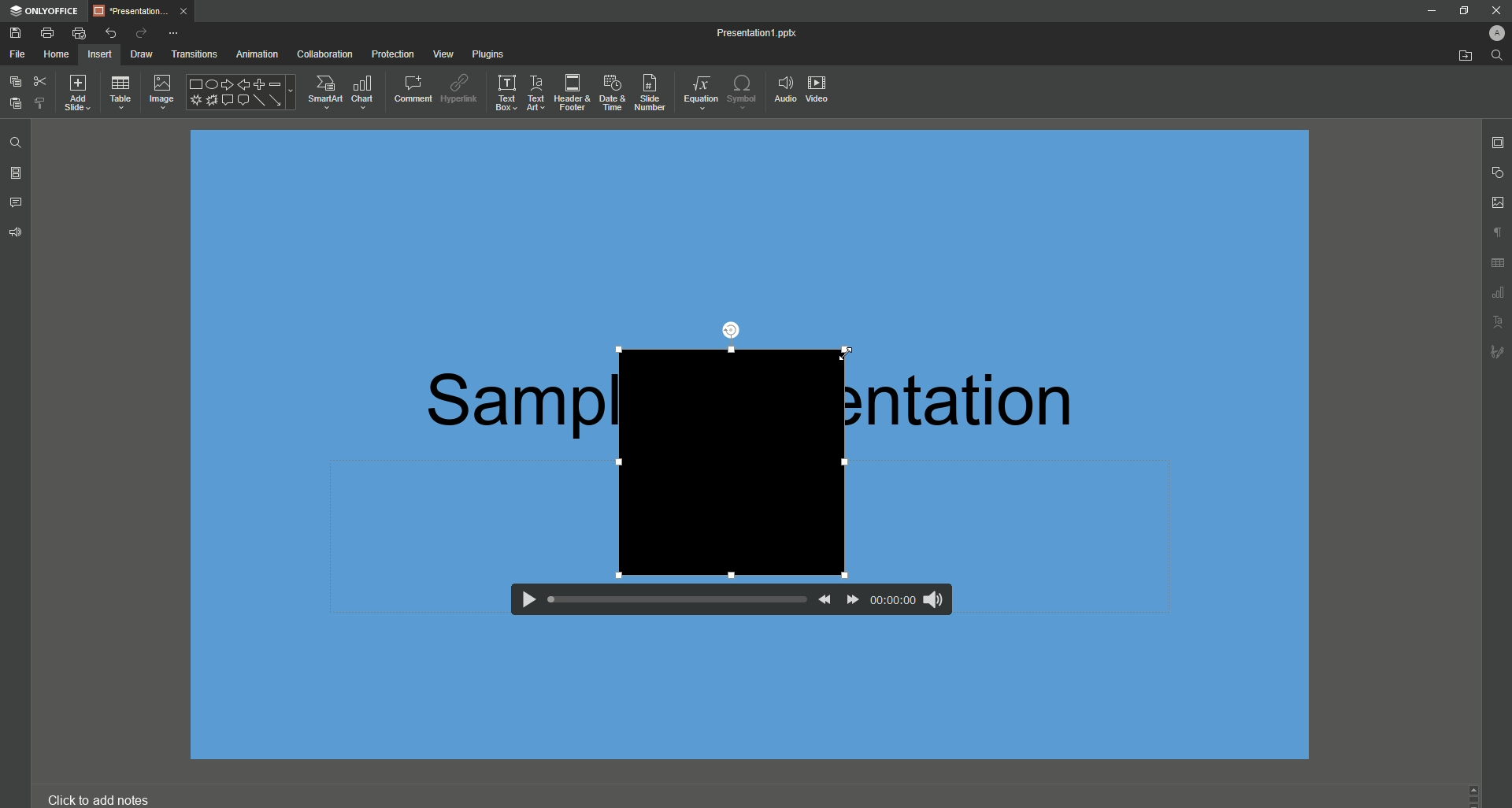  What do you see at coordinates (177, 33) in the screenshot?
I see `More Options` at bounding box center [177, 33].